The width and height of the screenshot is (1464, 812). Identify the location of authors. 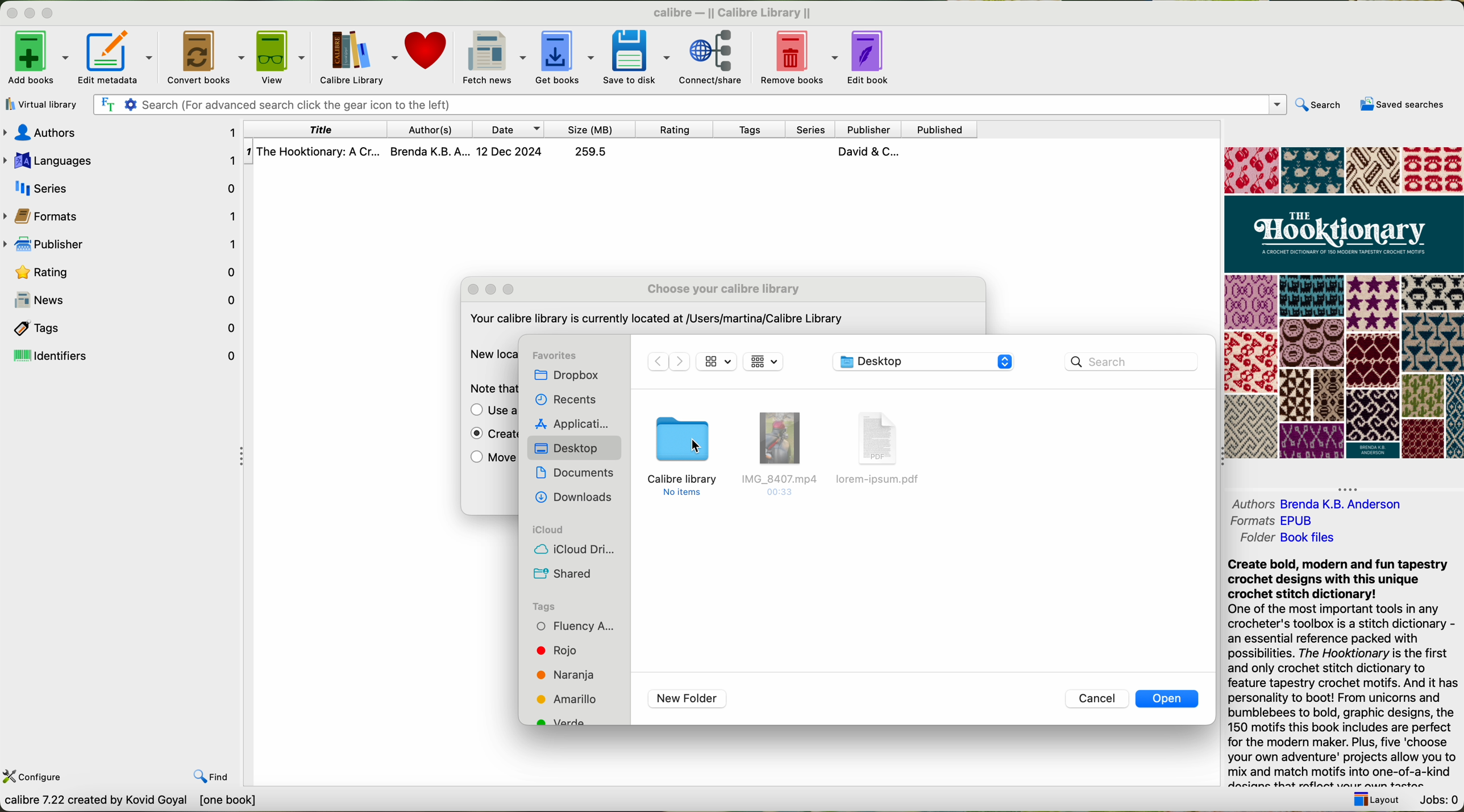
(432, 129).